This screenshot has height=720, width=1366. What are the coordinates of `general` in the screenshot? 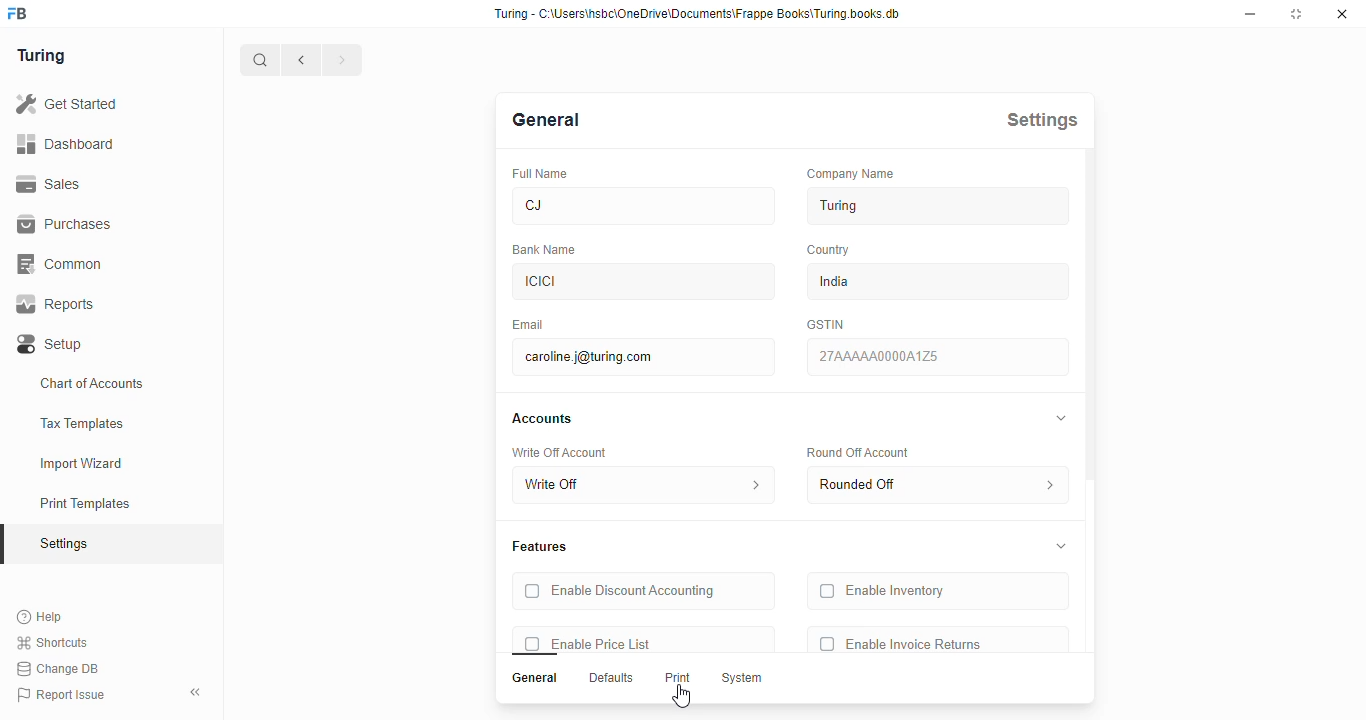 It's located at (546, 121).